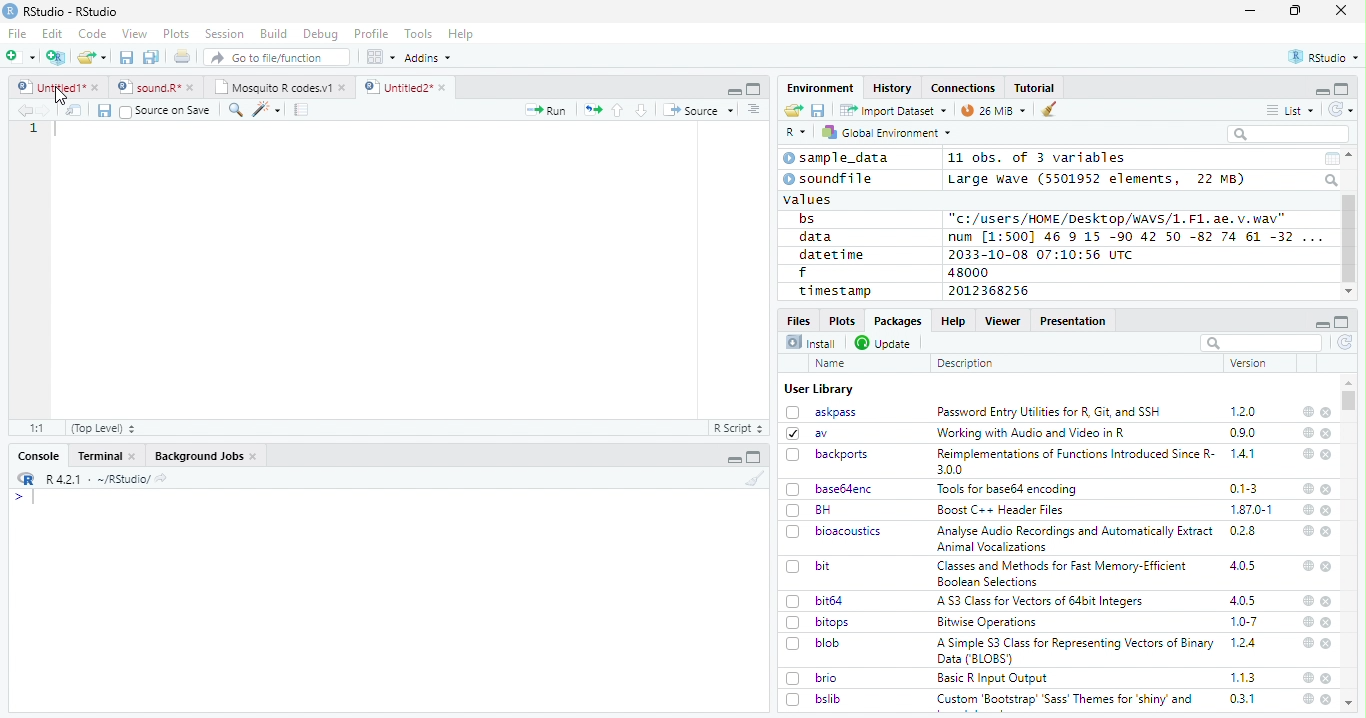  Describe the element at coordinates (1119, 217) in the screenshot. I see `"c:/users/HOME /Desktop/wWAVS/1.F1, ae. v.wav"` at that location.